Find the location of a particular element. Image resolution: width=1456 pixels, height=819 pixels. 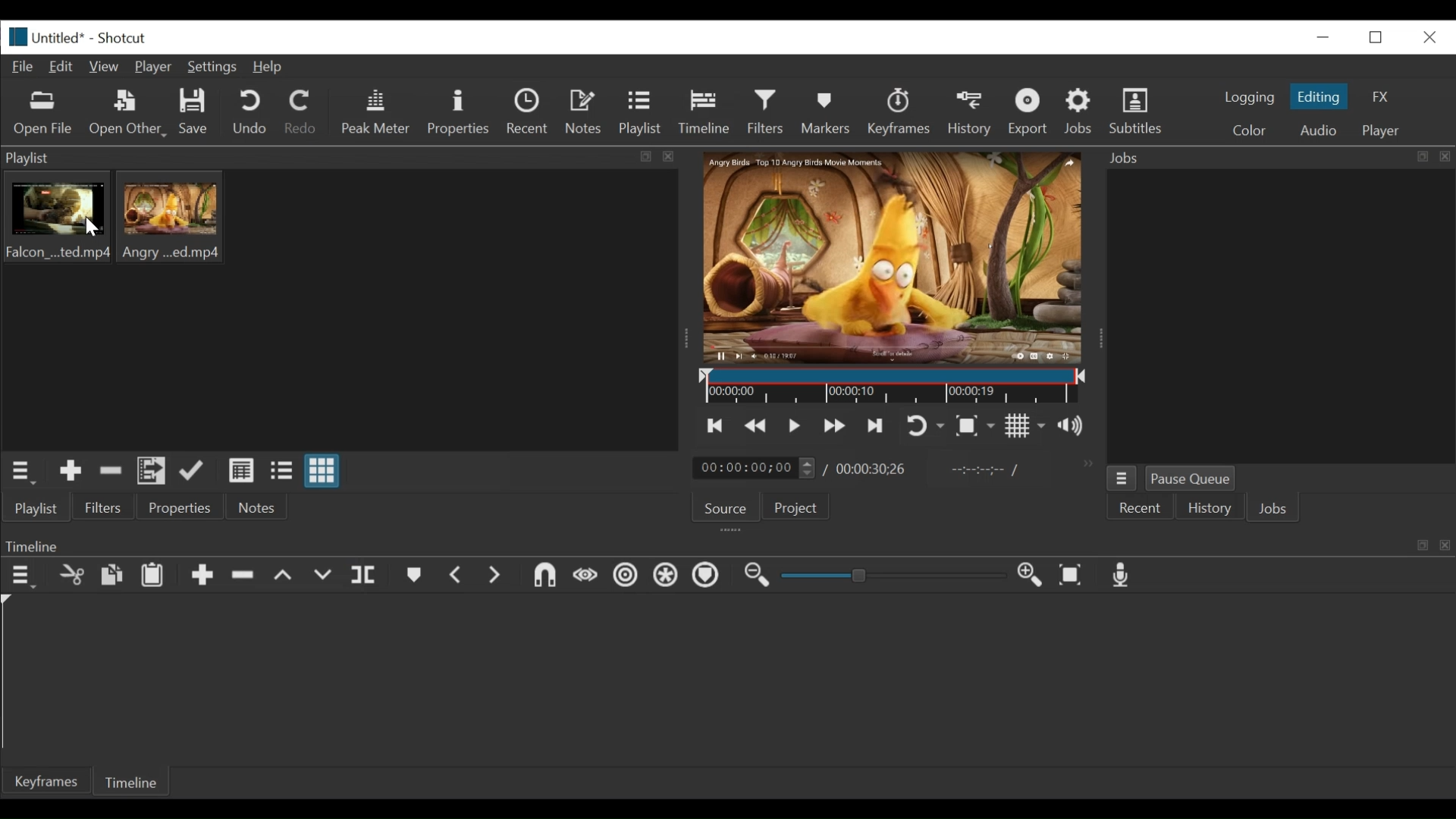

lift is located at coordinates (285, 577).